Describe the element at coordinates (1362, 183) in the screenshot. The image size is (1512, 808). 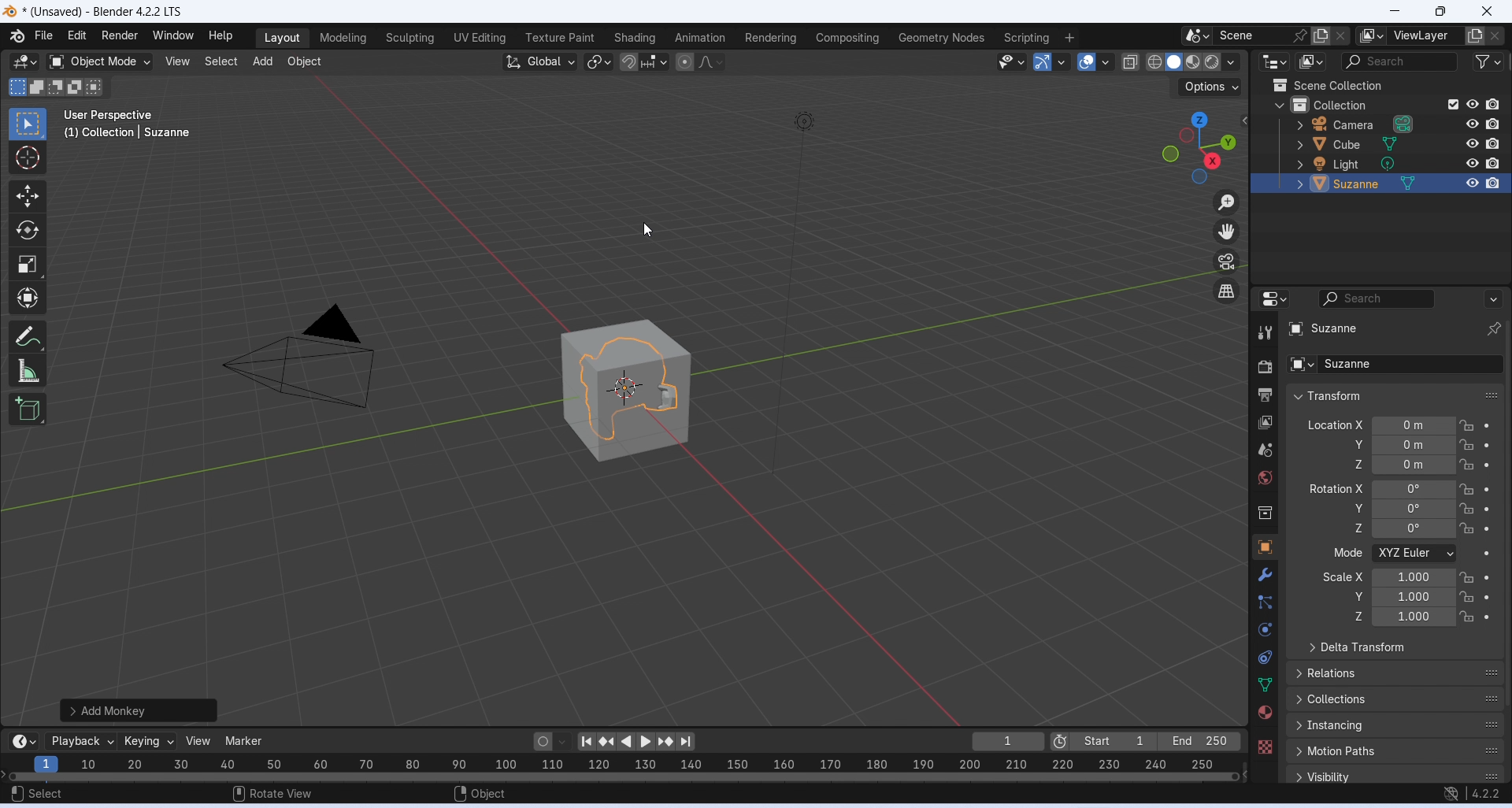
I see `Suzanne layer` at that location.